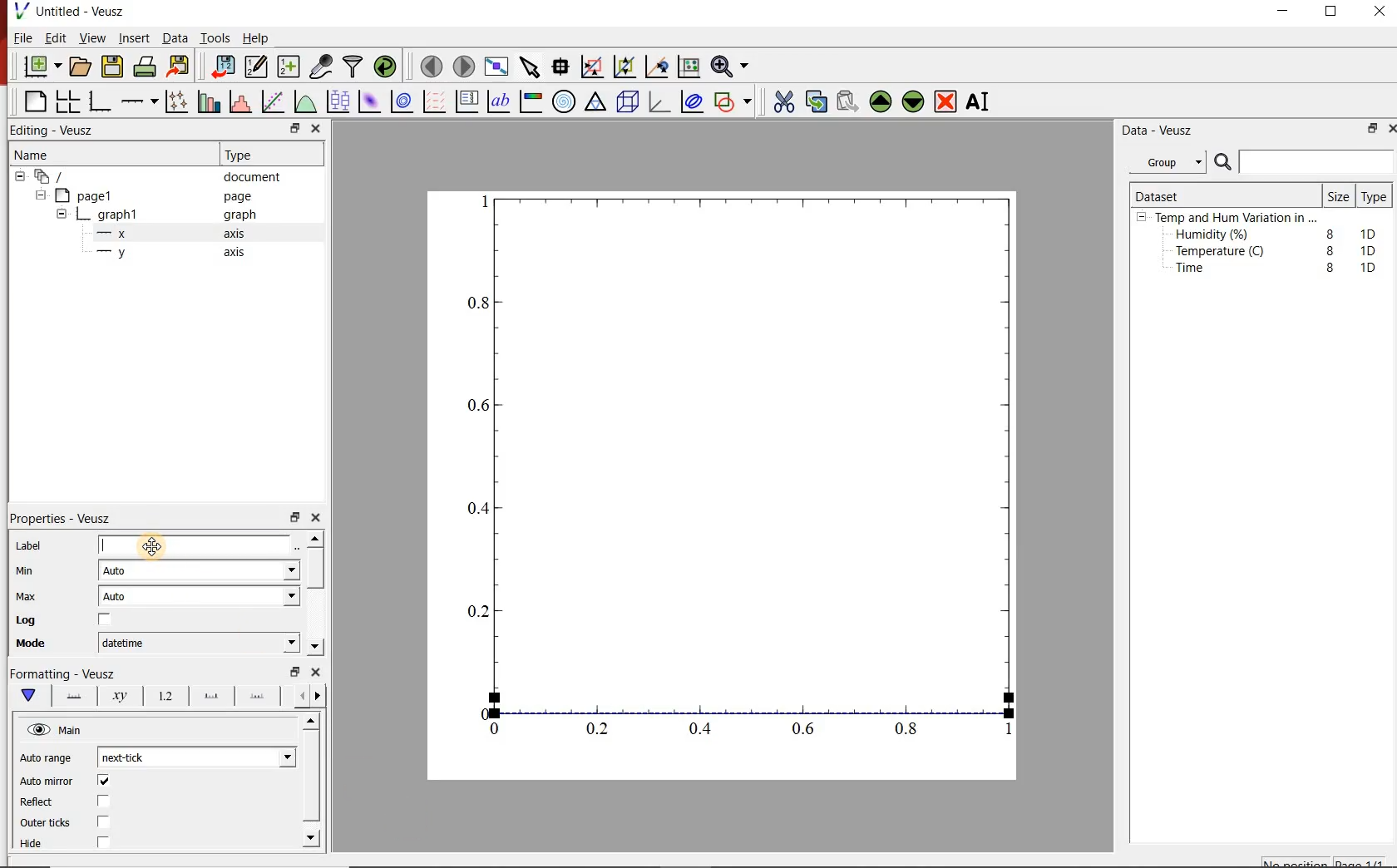 This screenshot has height=868, width=1397. What do you see at coordinates (272, 643) in the screenshot?
I see `Mode dropdown` at bounding box center [272, 643].